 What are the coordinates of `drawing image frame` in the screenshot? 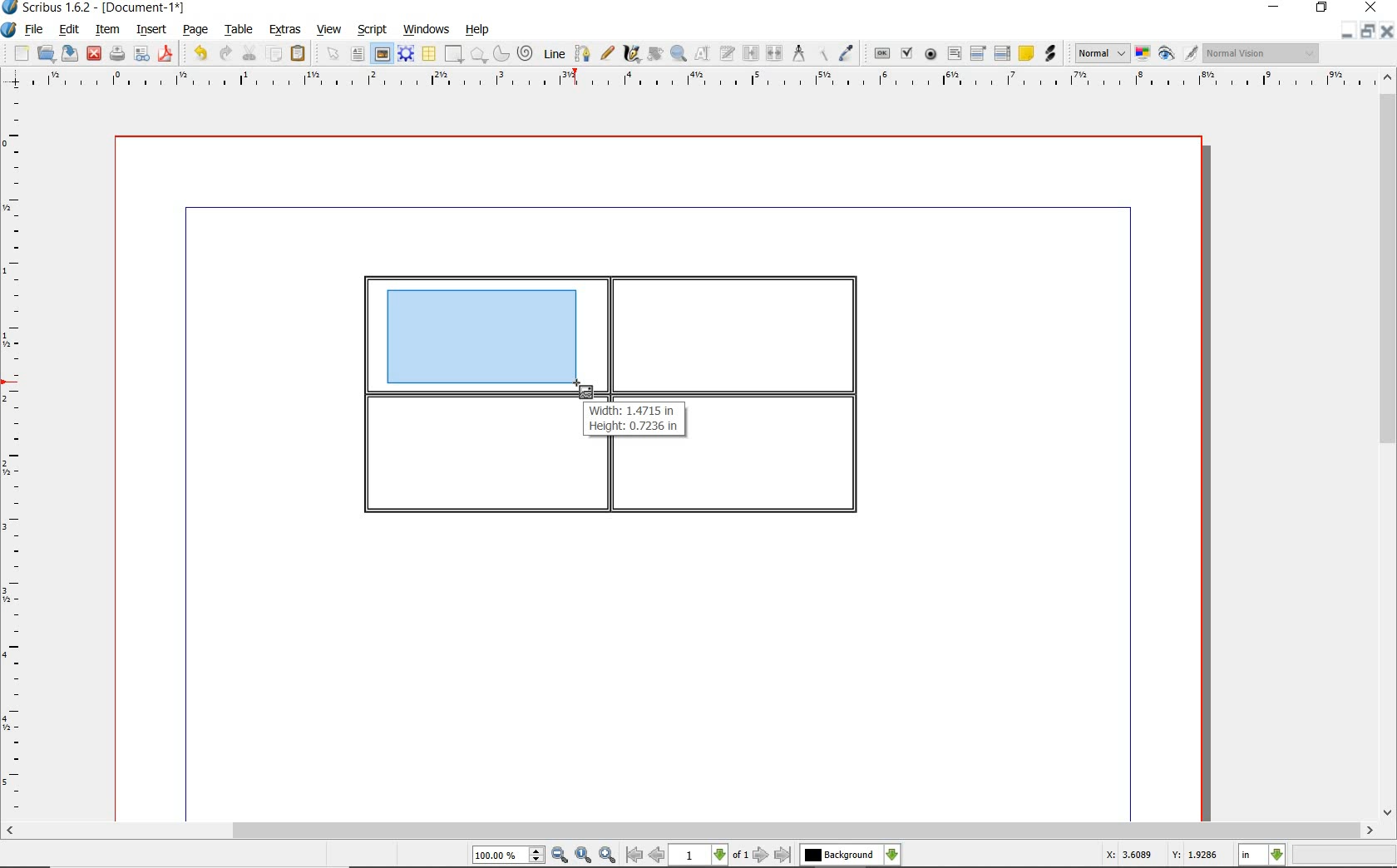 It's located at (489, 339).